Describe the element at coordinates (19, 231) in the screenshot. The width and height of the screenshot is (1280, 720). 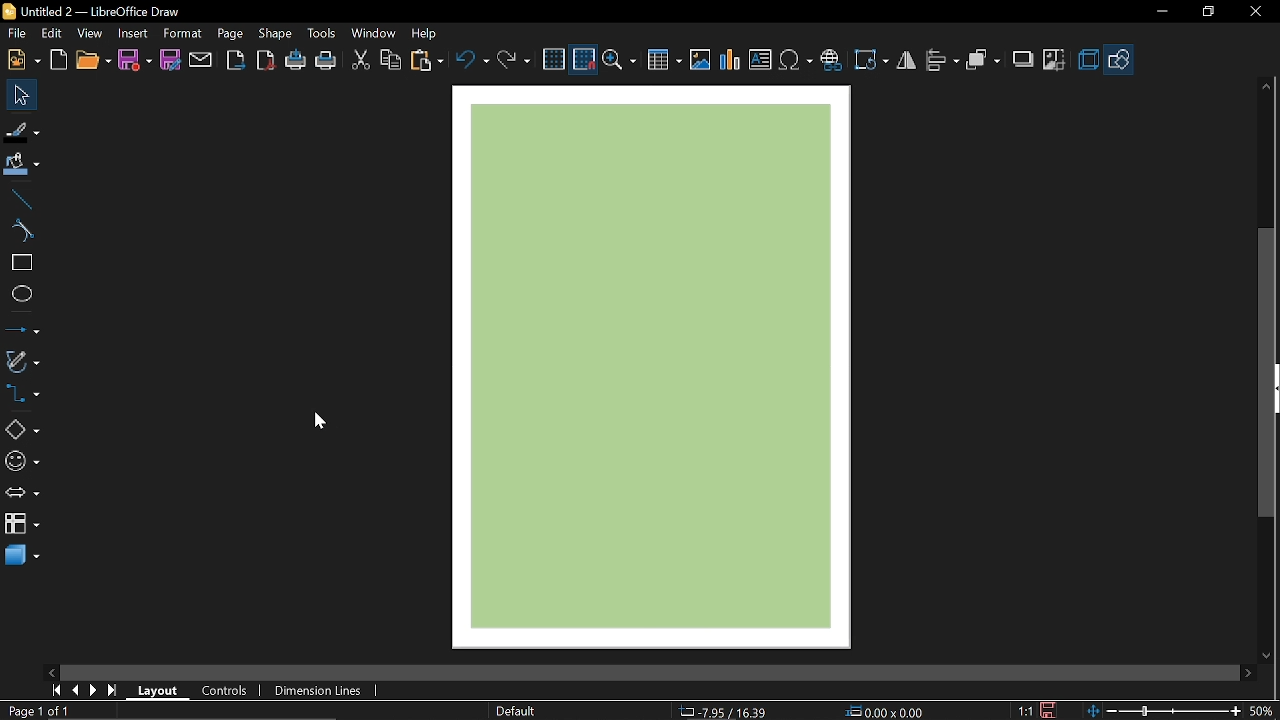
I see `Curve` at that location.